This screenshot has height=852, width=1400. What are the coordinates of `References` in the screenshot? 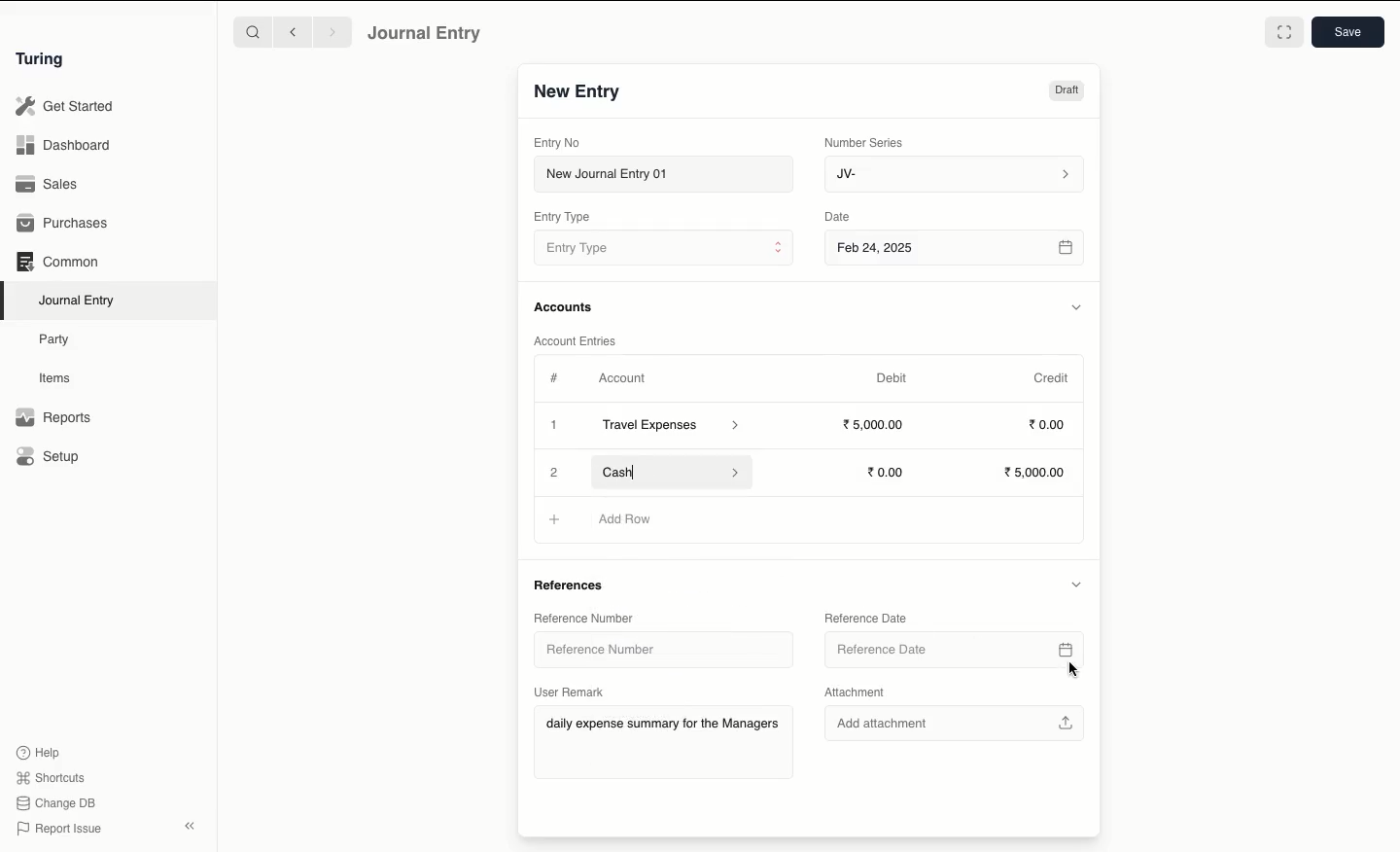 It's located at (576, 584).